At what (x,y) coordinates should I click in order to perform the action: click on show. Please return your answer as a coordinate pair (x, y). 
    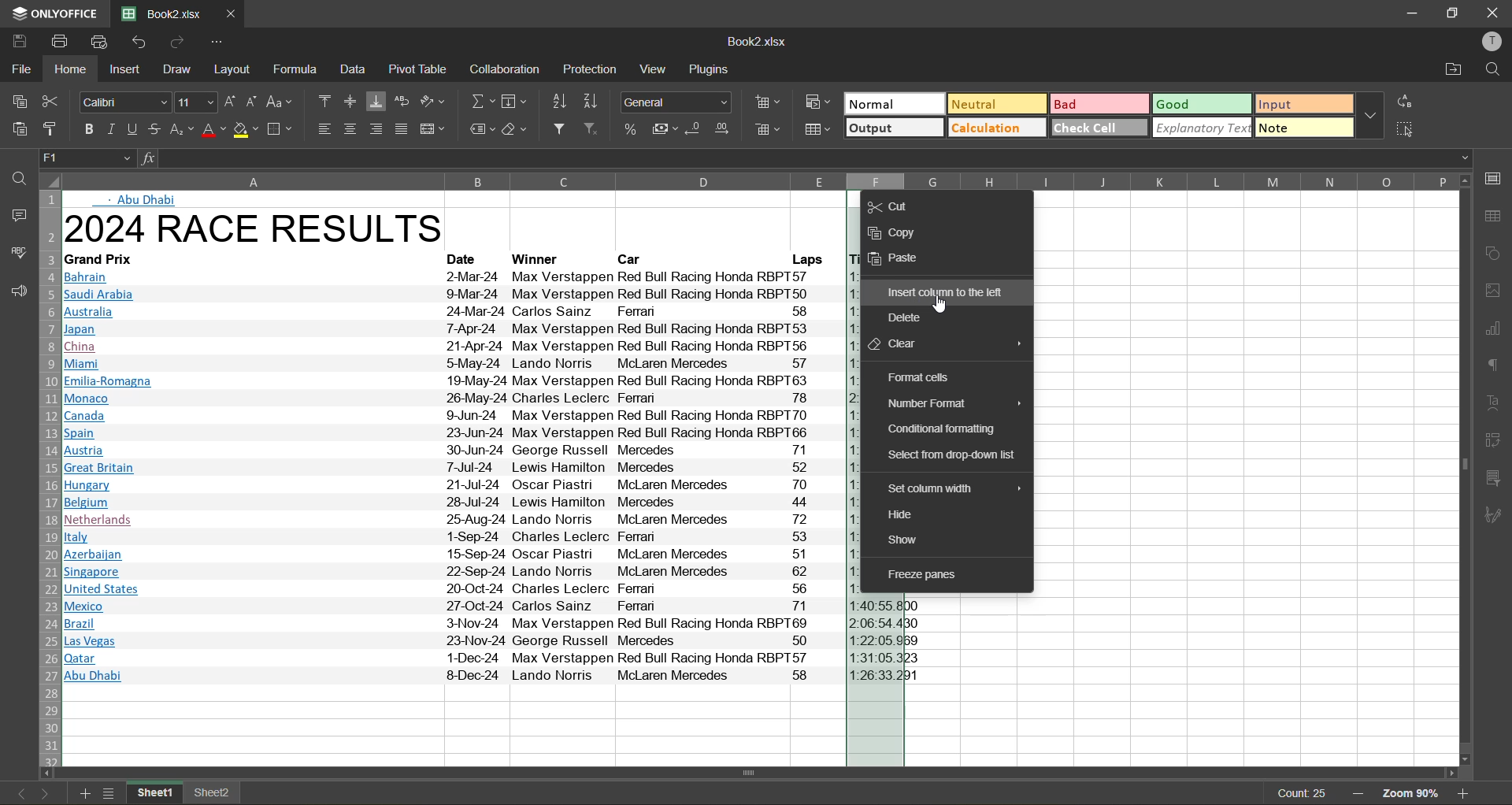
    Looking at the image, I should click on (915, 540).